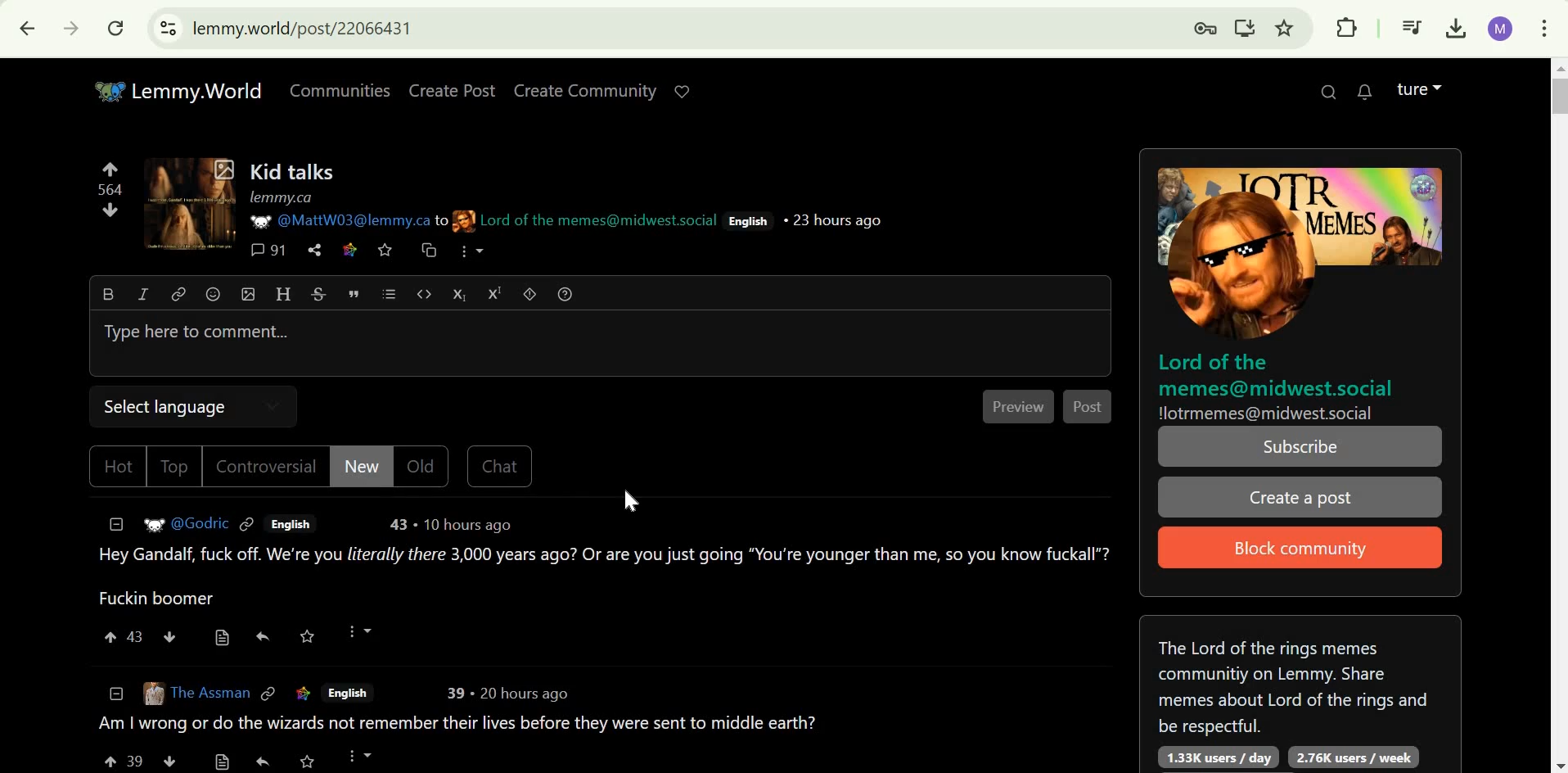  I want to click on create a post, so click(1298, 498).